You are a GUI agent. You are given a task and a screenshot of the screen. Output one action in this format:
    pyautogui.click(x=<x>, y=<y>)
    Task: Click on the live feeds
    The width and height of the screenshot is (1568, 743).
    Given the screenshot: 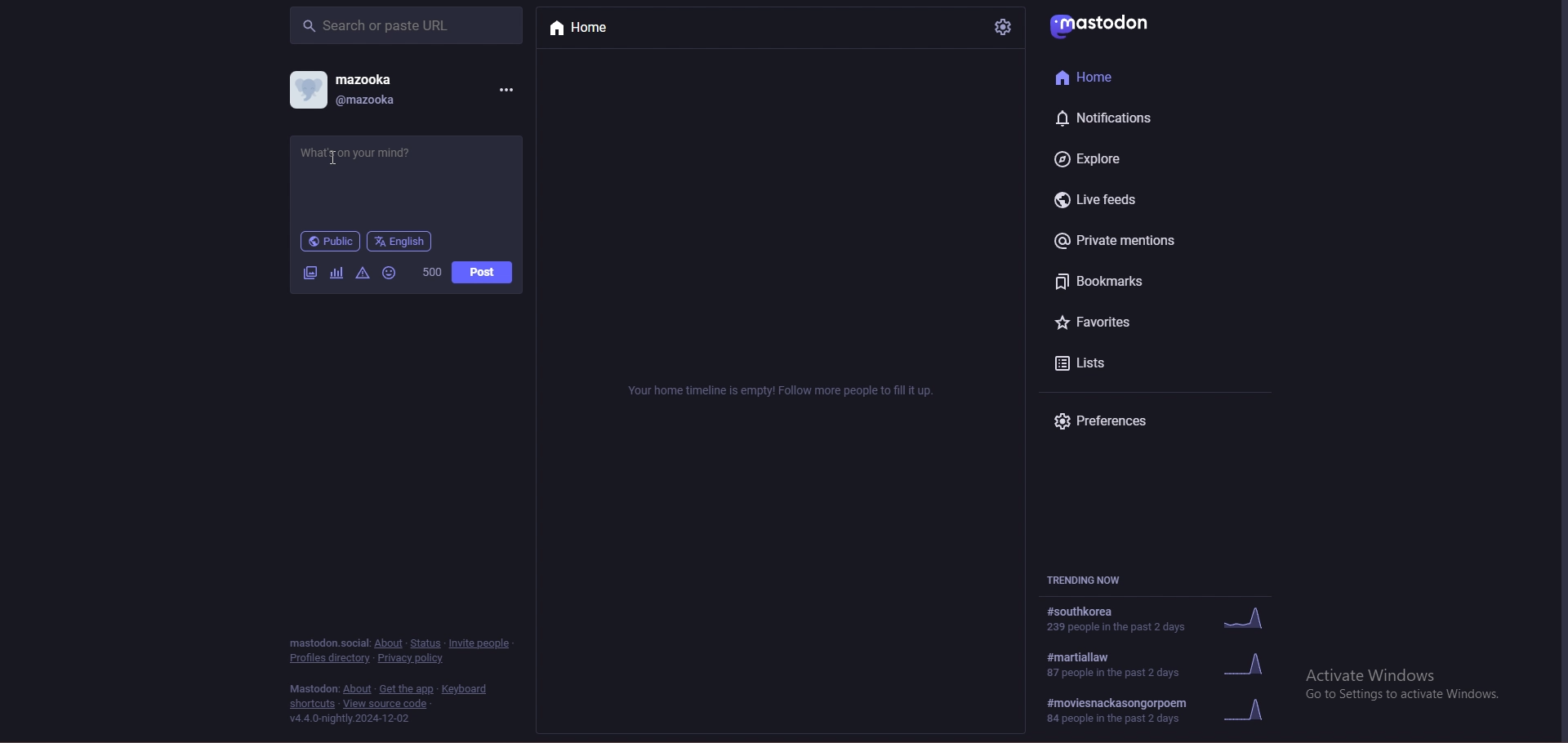 What is the action you would take?
    pyautogui.click(x=1104, y=200)
    